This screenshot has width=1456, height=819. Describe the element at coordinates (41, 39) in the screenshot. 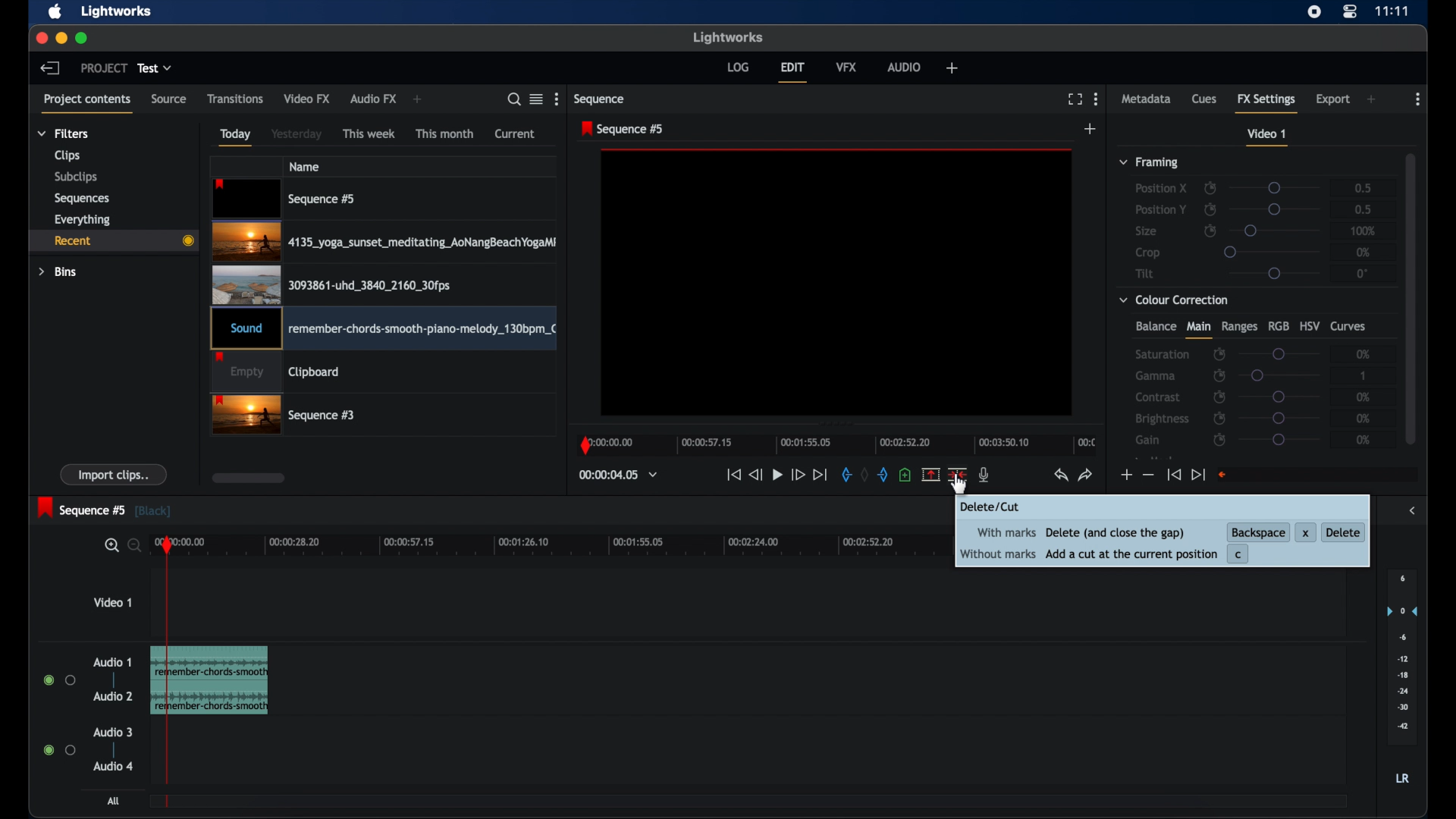

I see `close` at that location.